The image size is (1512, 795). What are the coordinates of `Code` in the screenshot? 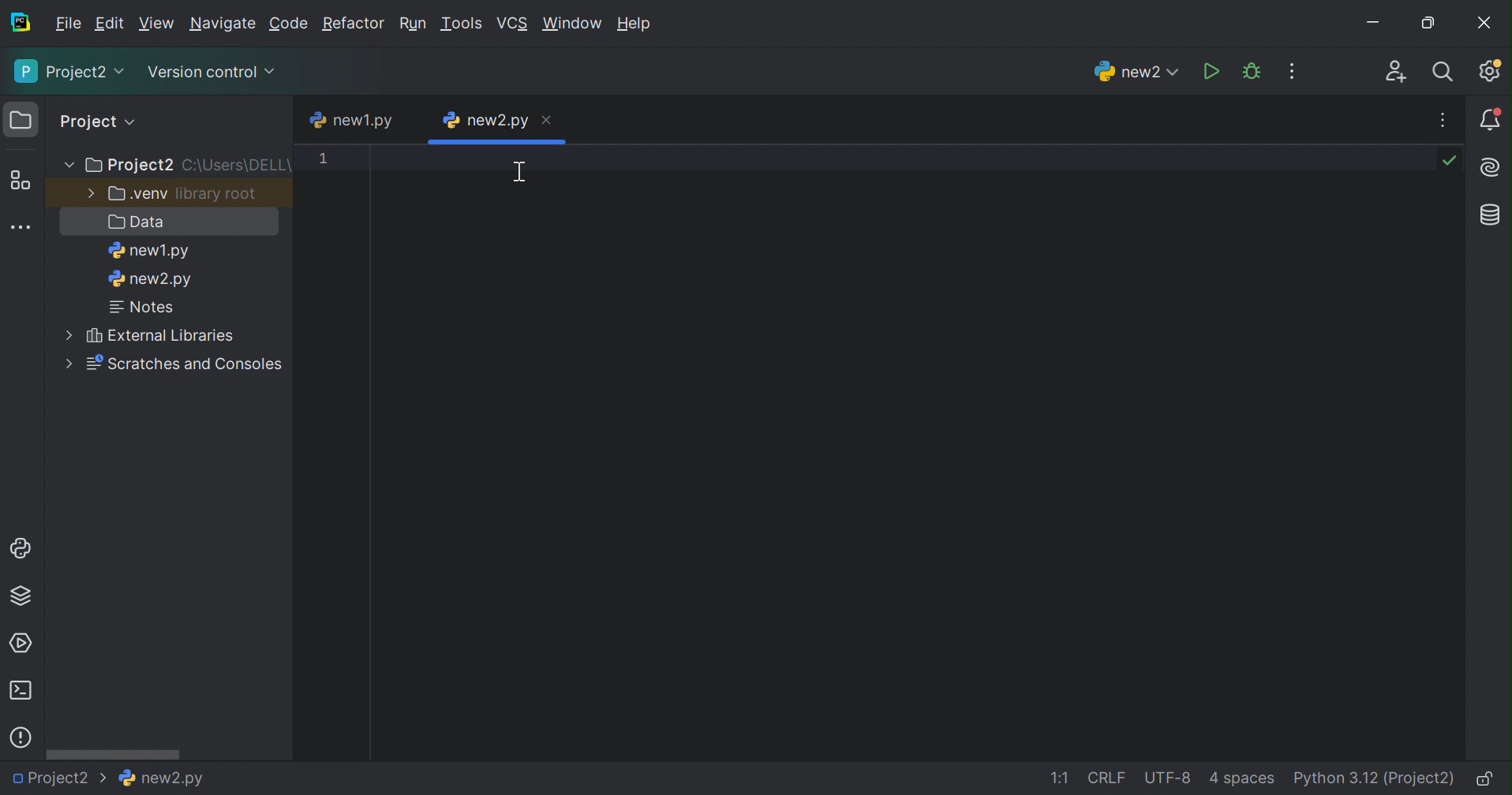 It's located at (290, 24).